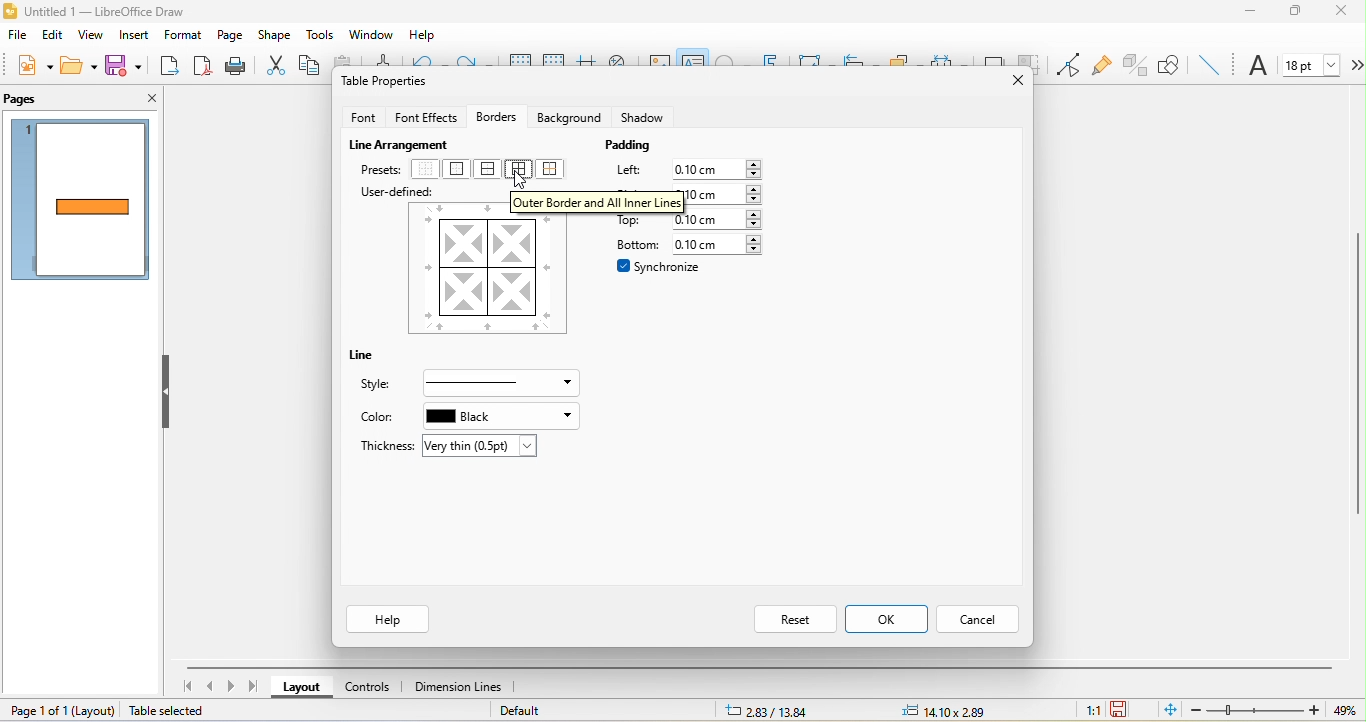 The width and height of the screenshot is (1366, 722). What do you see at coordinates (33, 64) in the screenshot?
I see `new` at bounding box center [33, 64].